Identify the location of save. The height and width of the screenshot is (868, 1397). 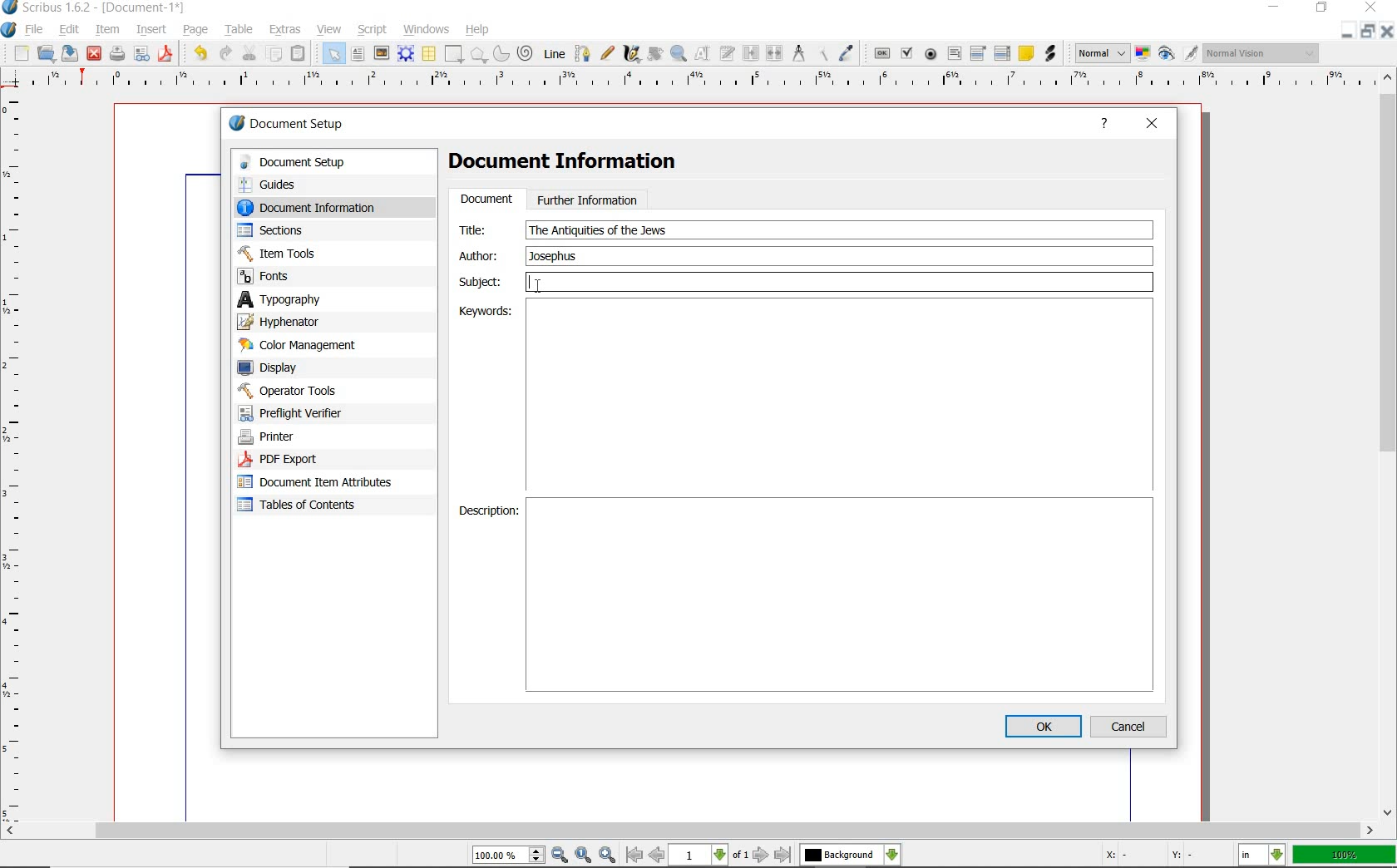
(72, 53).